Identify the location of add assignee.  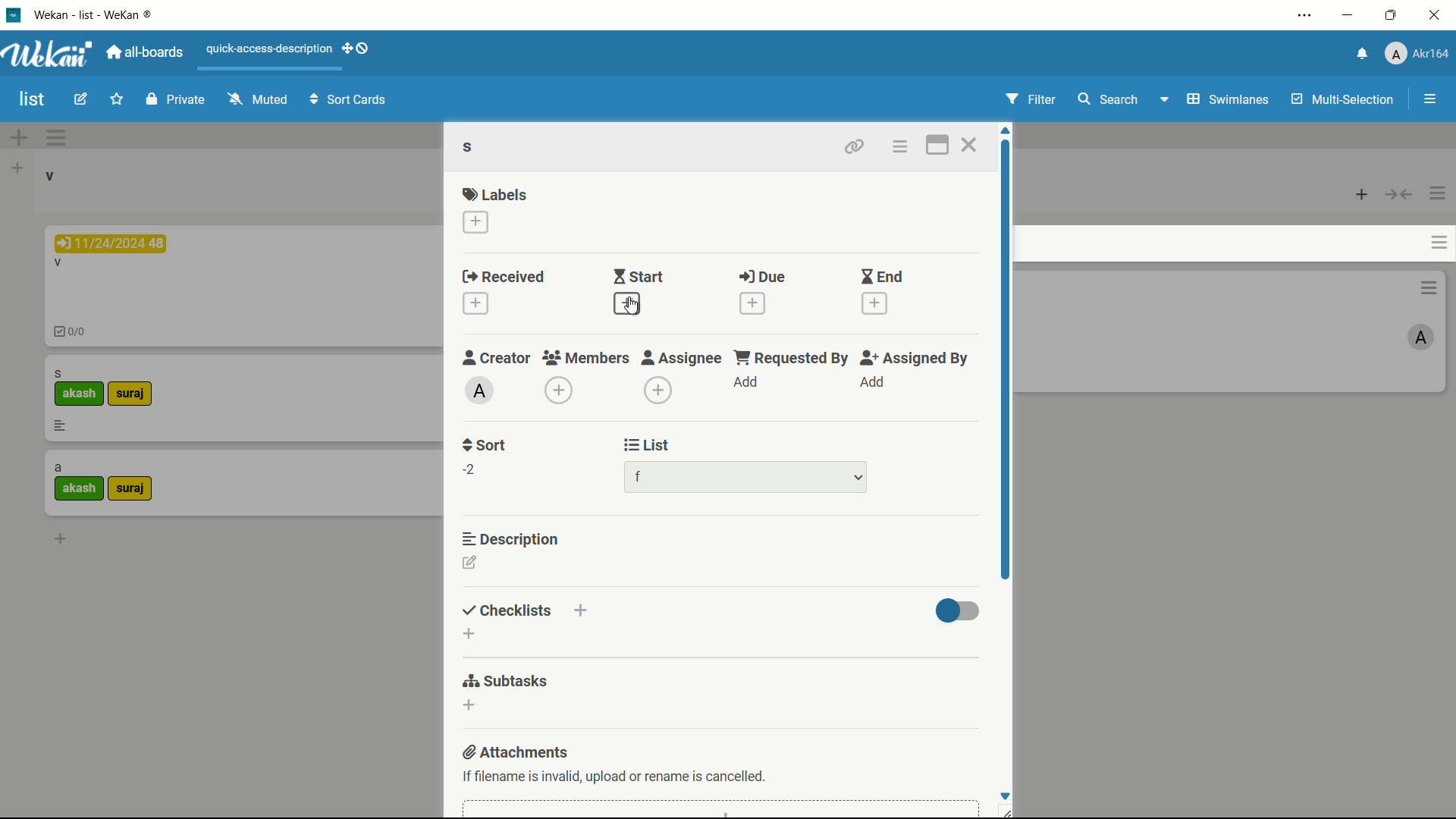
(657, 391).